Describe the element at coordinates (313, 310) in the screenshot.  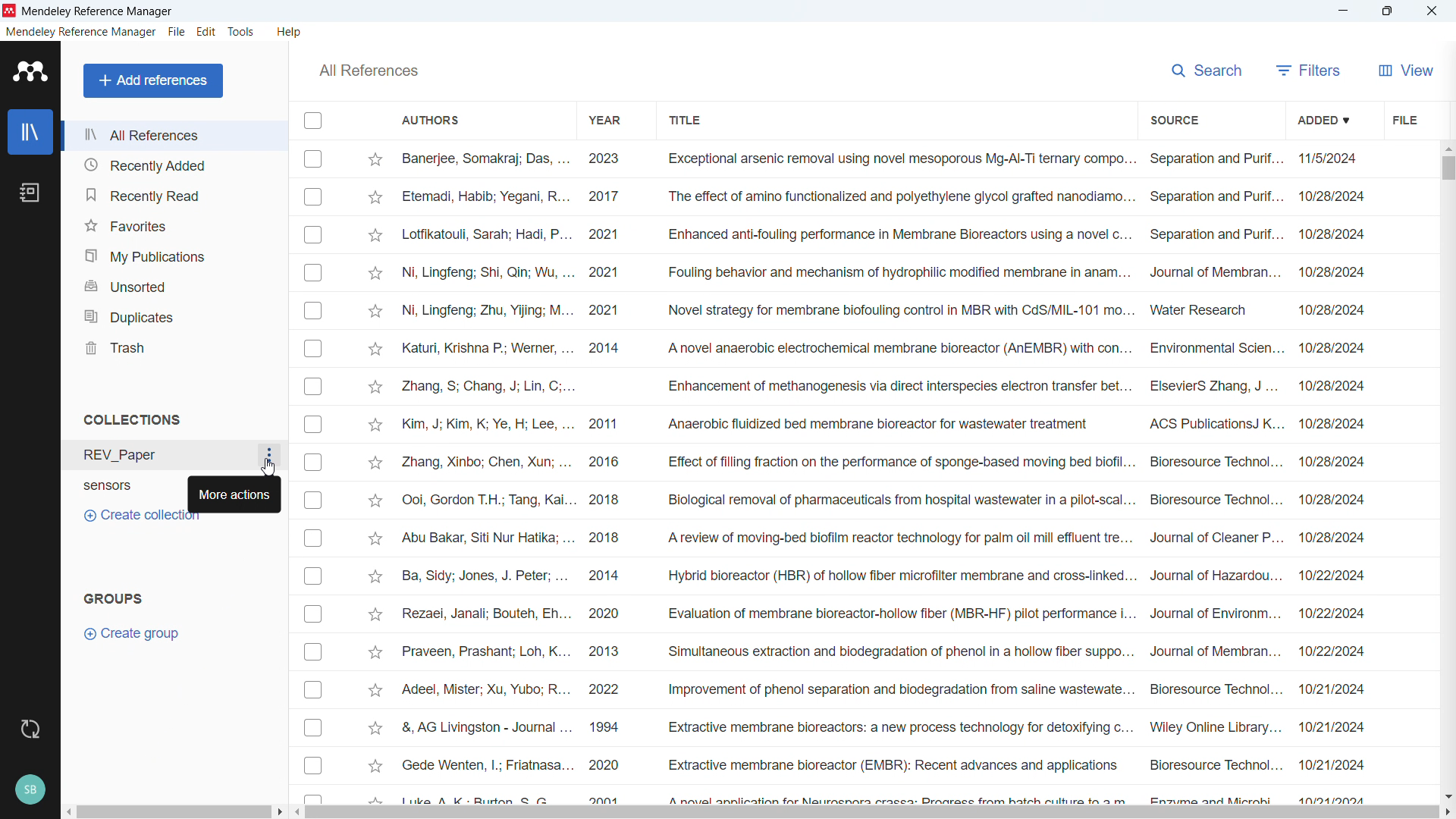
I see `Select respective publication` at that location.